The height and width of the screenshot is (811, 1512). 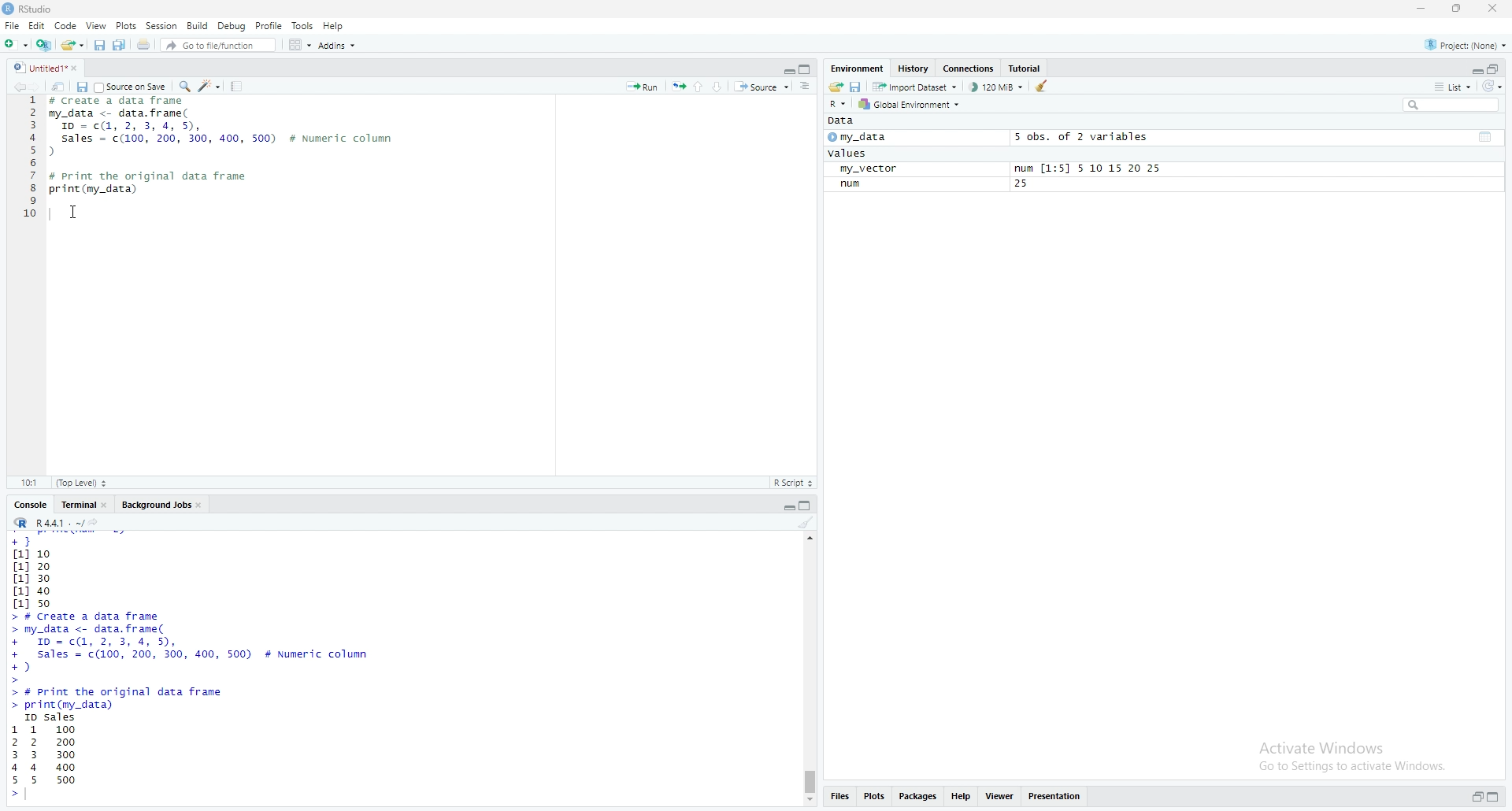 What do you see at coordinates (122, 46) in the screenshot?
I see `save all open documents` at bounding box center [122, 46].